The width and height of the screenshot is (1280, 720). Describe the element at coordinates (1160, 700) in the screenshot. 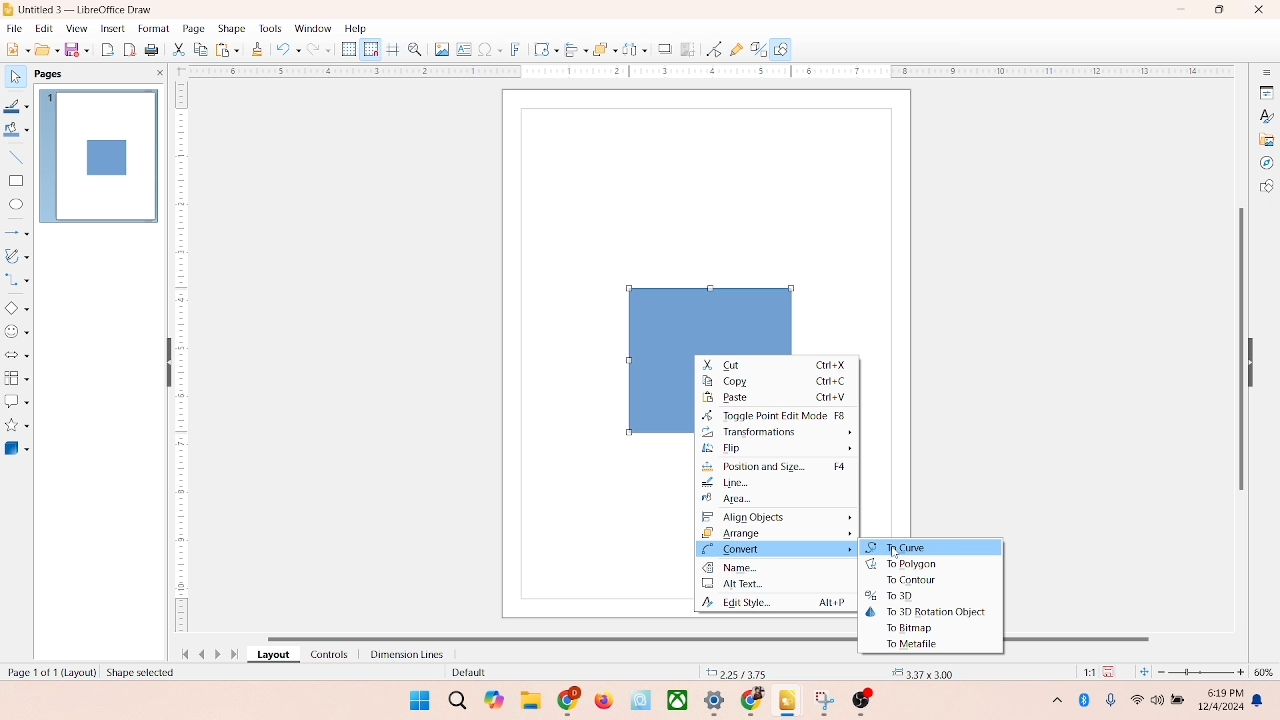

I see `speaker` at that location.